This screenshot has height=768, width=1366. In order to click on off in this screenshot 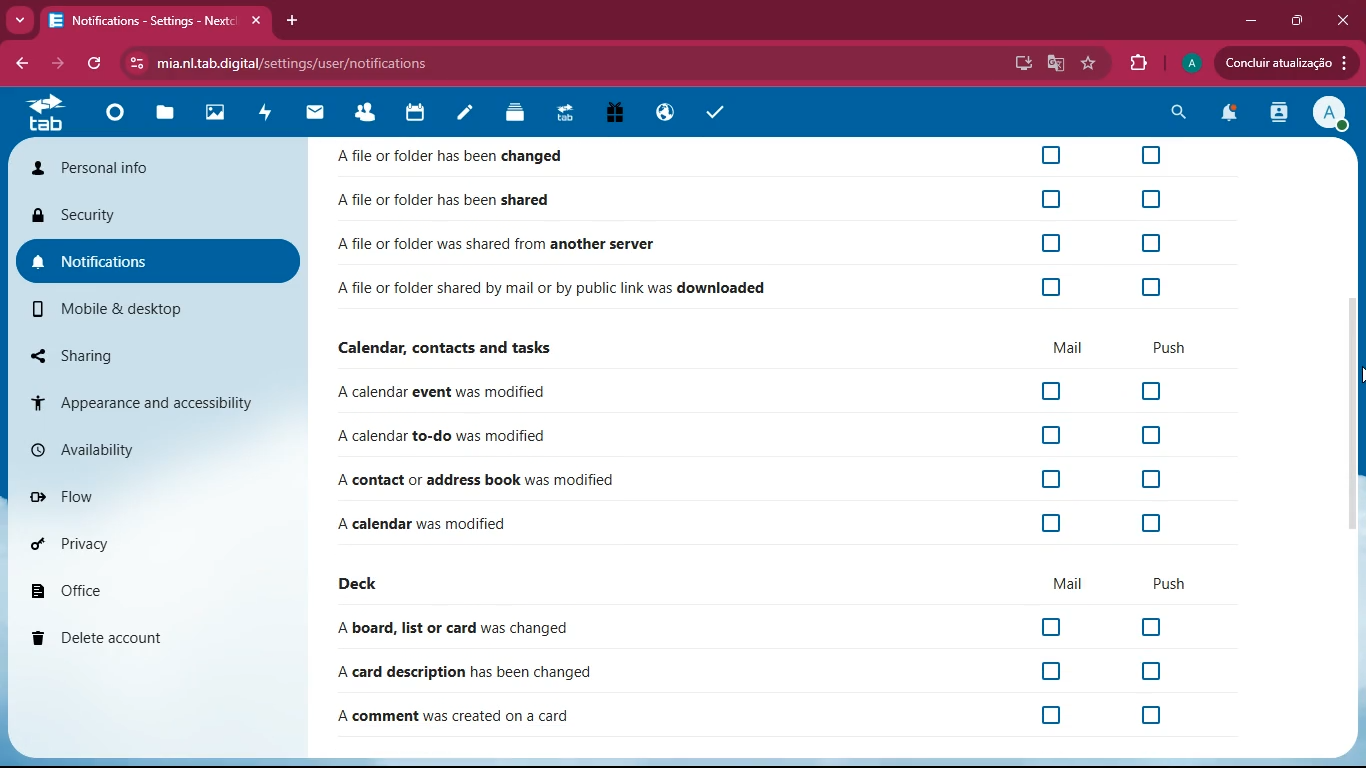, I will do `click(1159, 393)`.